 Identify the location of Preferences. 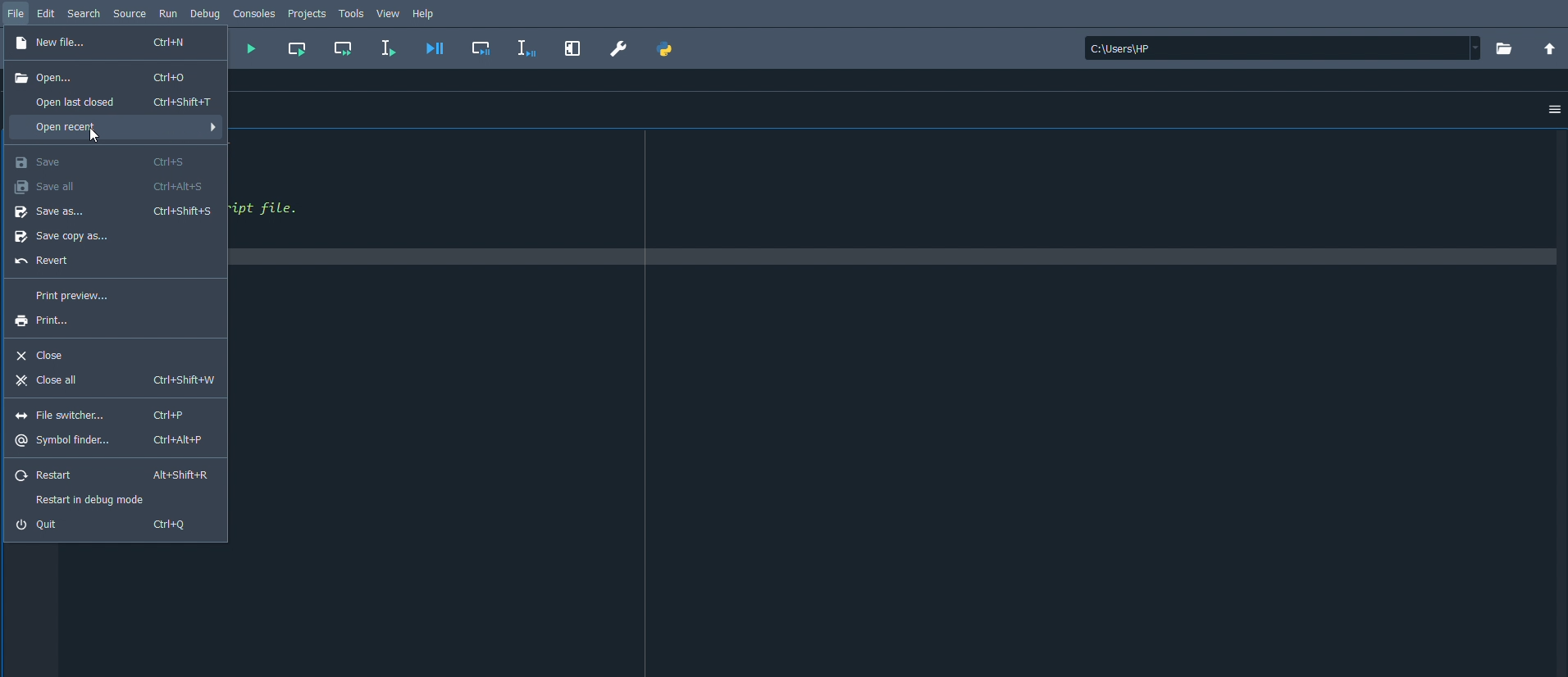
(619, 48).